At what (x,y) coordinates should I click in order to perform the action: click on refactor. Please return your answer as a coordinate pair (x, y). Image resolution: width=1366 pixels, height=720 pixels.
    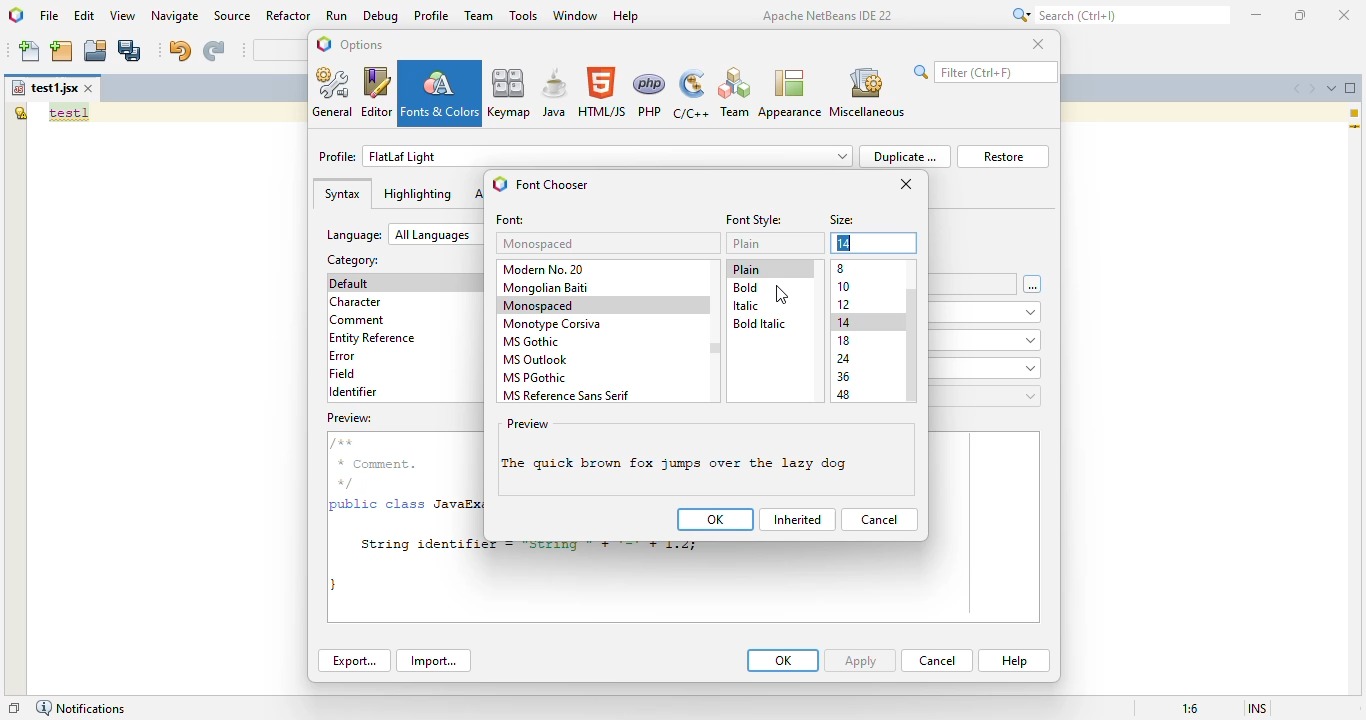
    Looking at the image, I should click on (289, 16).